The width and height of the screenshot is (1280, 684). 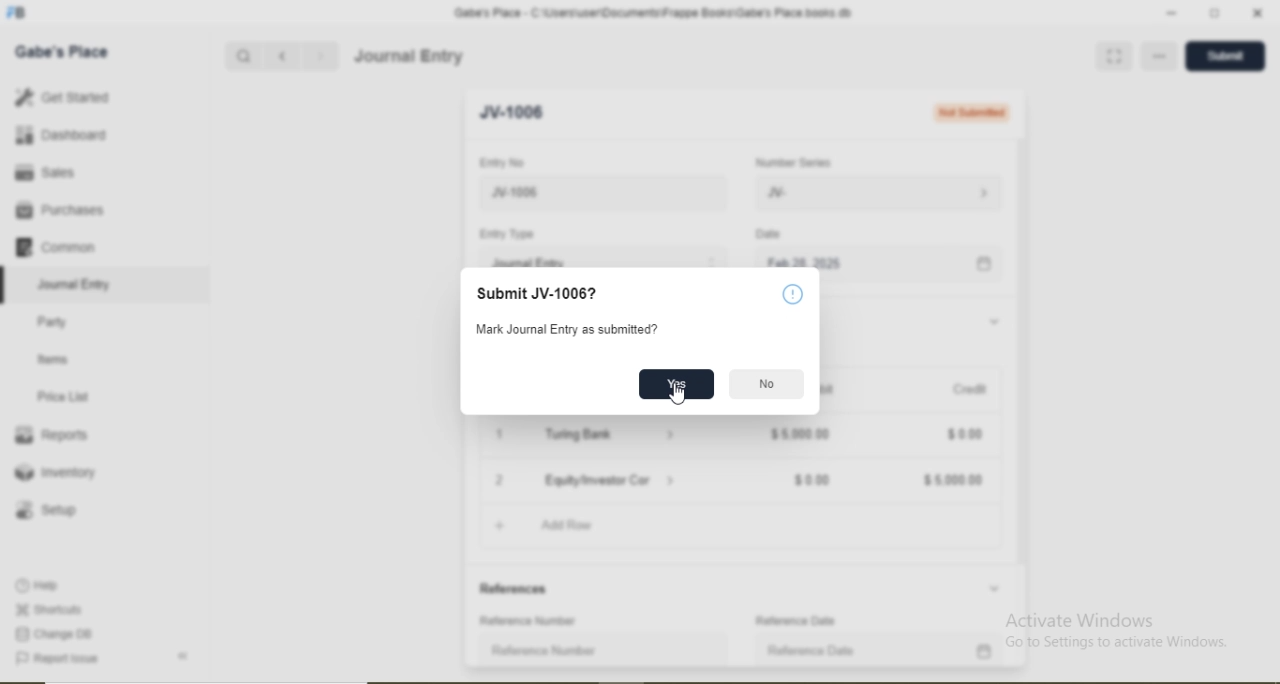 What do you see at coordinates (499, 434) in the screenshot?
I see `1` at bounding box center [499, 434].